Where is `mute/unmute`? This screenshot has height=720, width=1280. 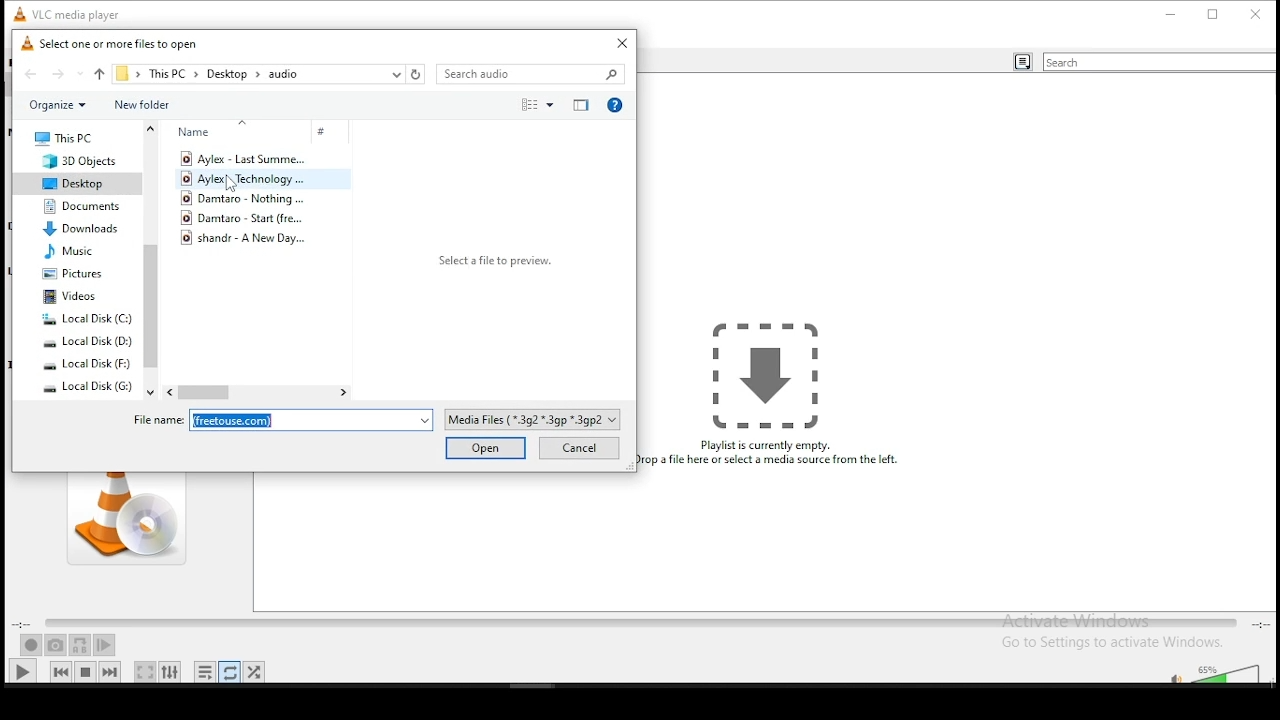
mute/unmute is located at coordinates (1171, 675).